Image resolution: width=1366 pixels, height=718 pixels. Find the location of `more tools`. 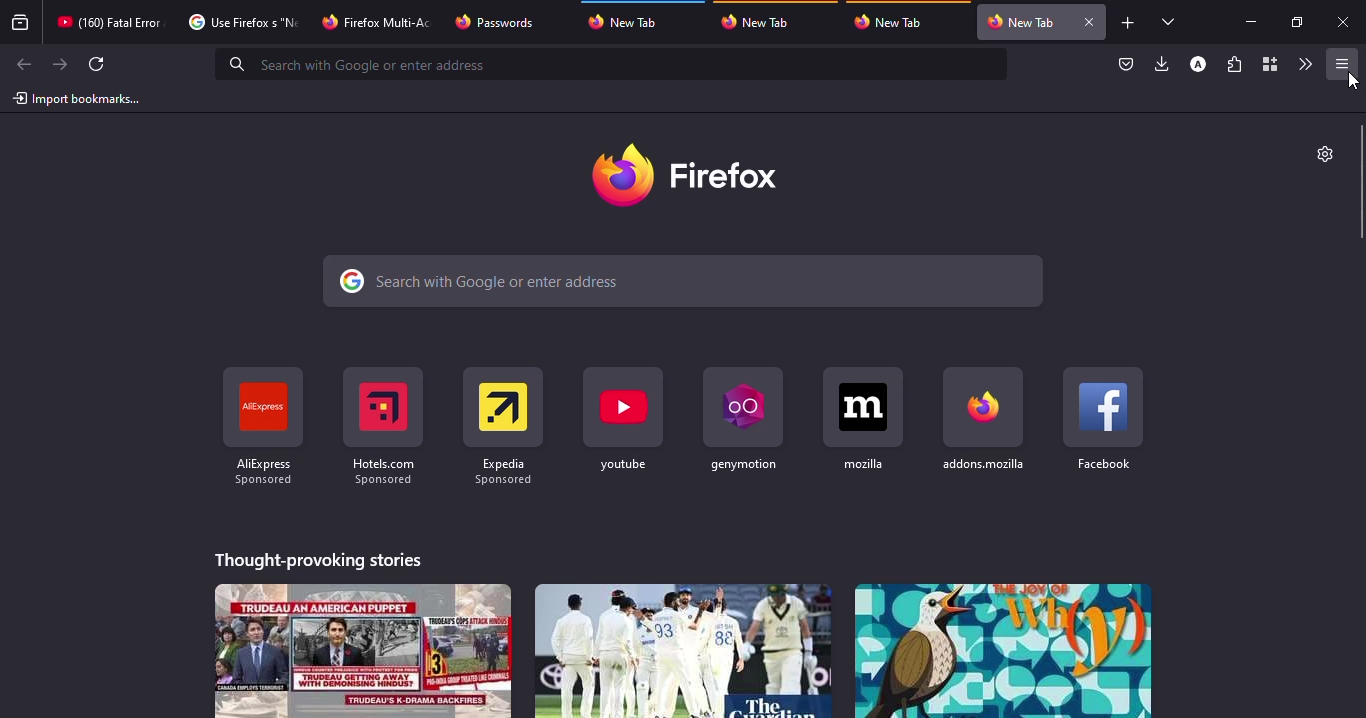

more tools is located at coordinates (1304, 64).